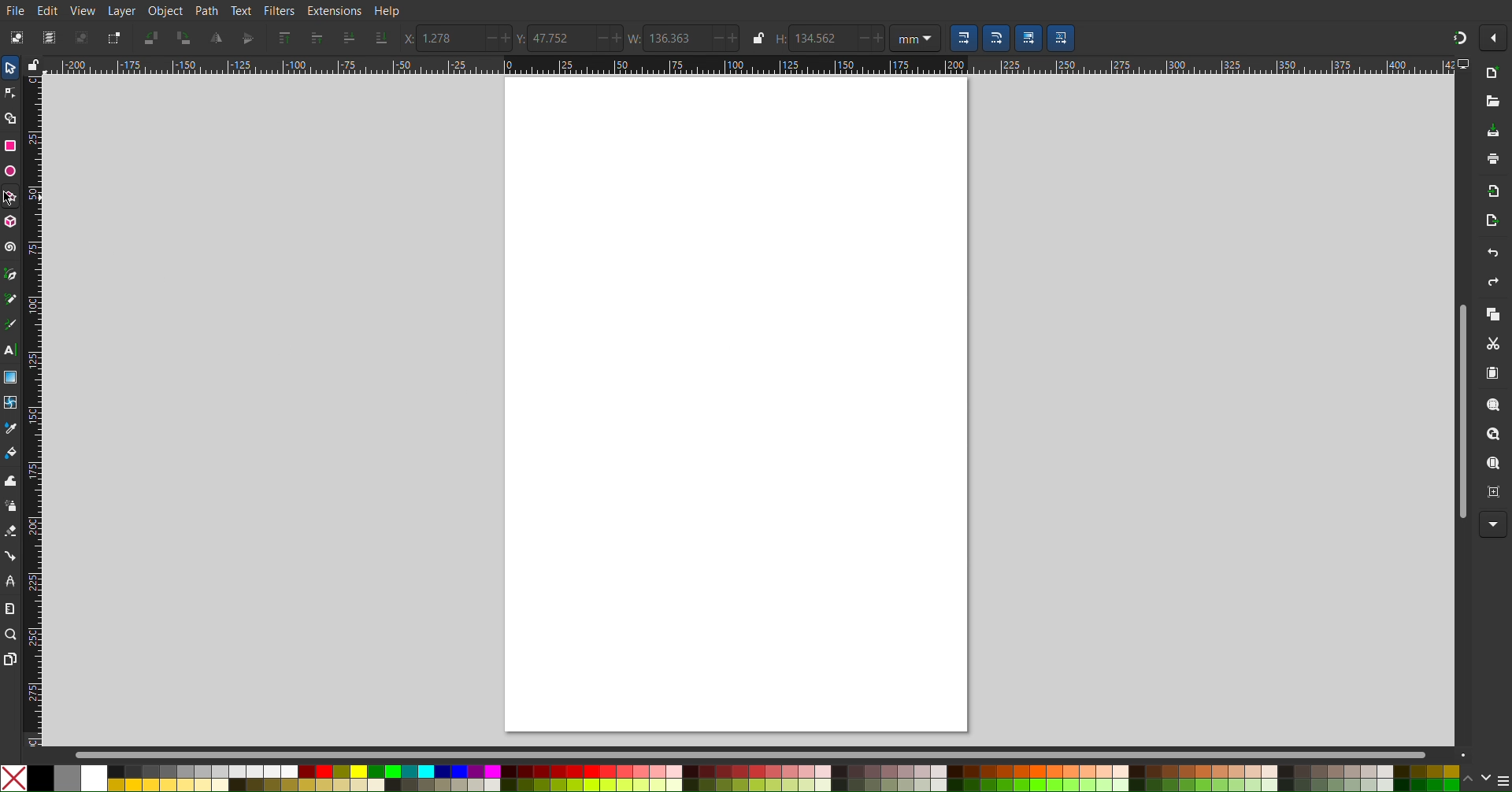 This screenshot has width=1512, height=792. Describe the element at coordinates (10, 505) in the screenshot. I see `Spray Tool` at that location.